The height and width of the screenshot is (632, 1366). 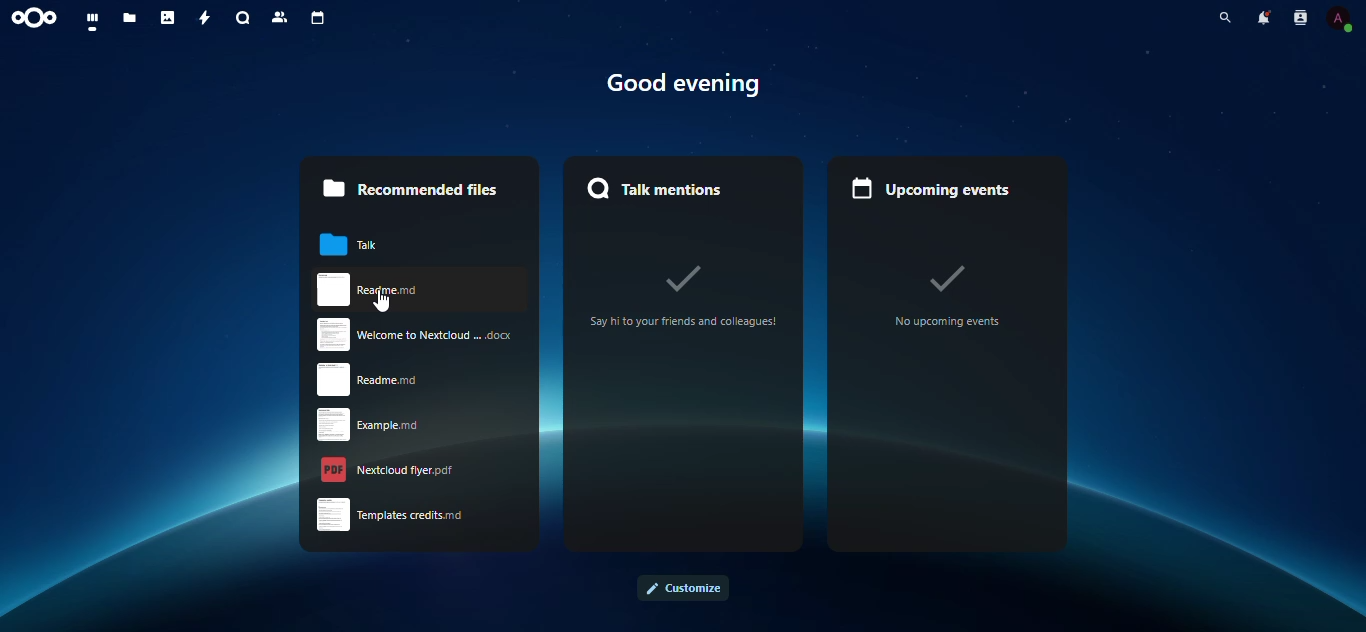 I want to click on Say hi to your friends and colleagues!, so click(x=684, y=321).